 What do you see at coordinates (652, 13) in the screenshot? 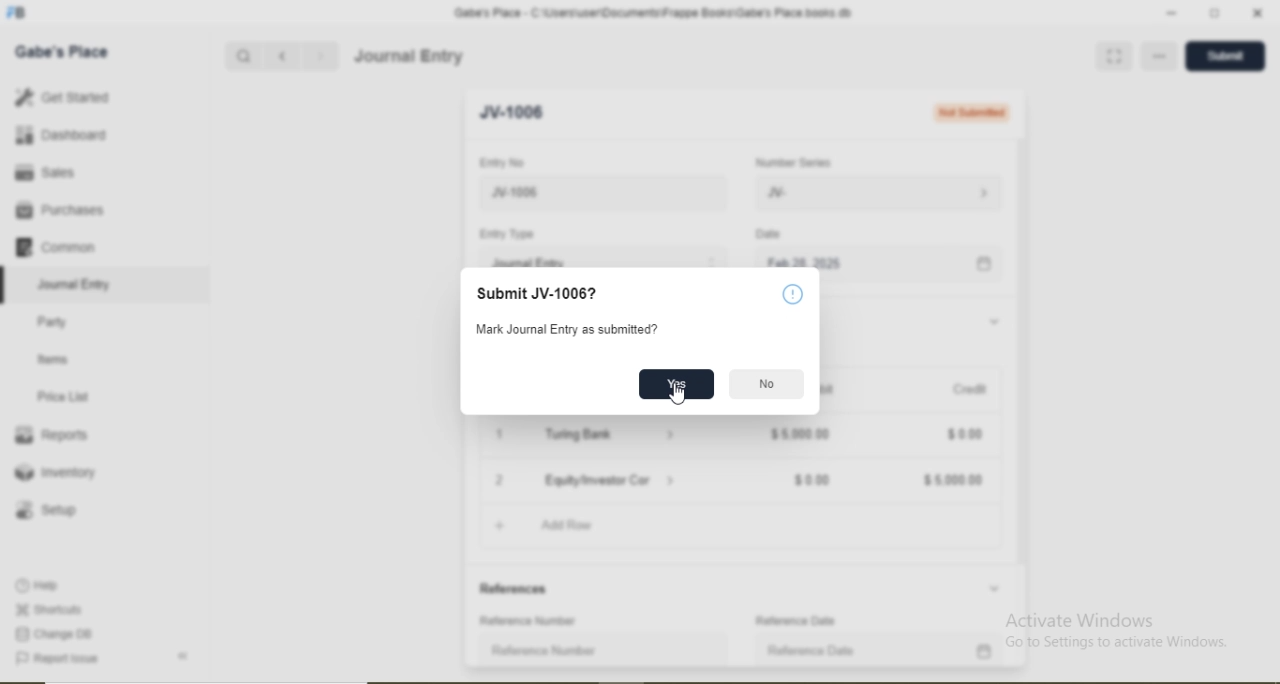
I see `‘Gabe's Place - C:\Users\useriDocuments\Frappe Books\Gabe's Place books db` at bounding box center [652, 13].